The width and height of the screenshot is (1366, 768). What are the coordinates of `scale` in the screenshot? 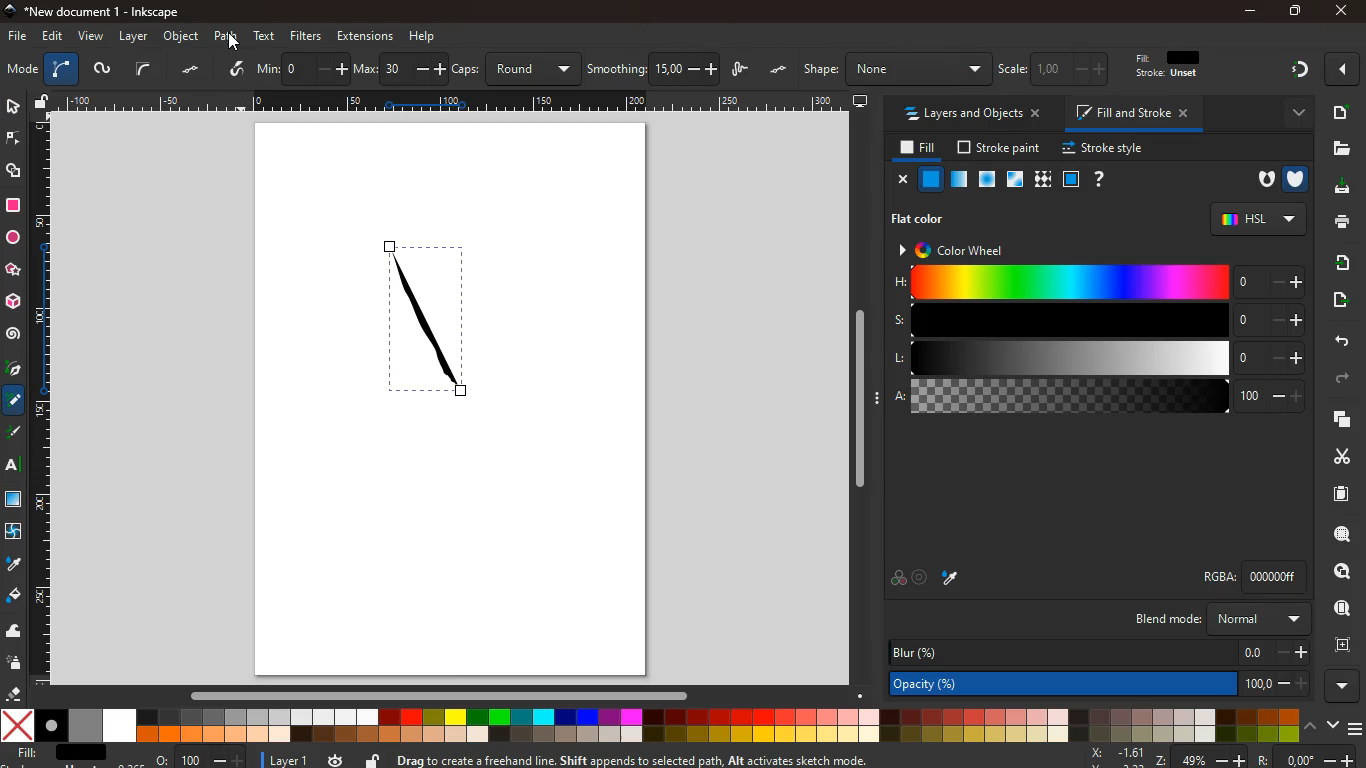 It's located at (1057, 68).